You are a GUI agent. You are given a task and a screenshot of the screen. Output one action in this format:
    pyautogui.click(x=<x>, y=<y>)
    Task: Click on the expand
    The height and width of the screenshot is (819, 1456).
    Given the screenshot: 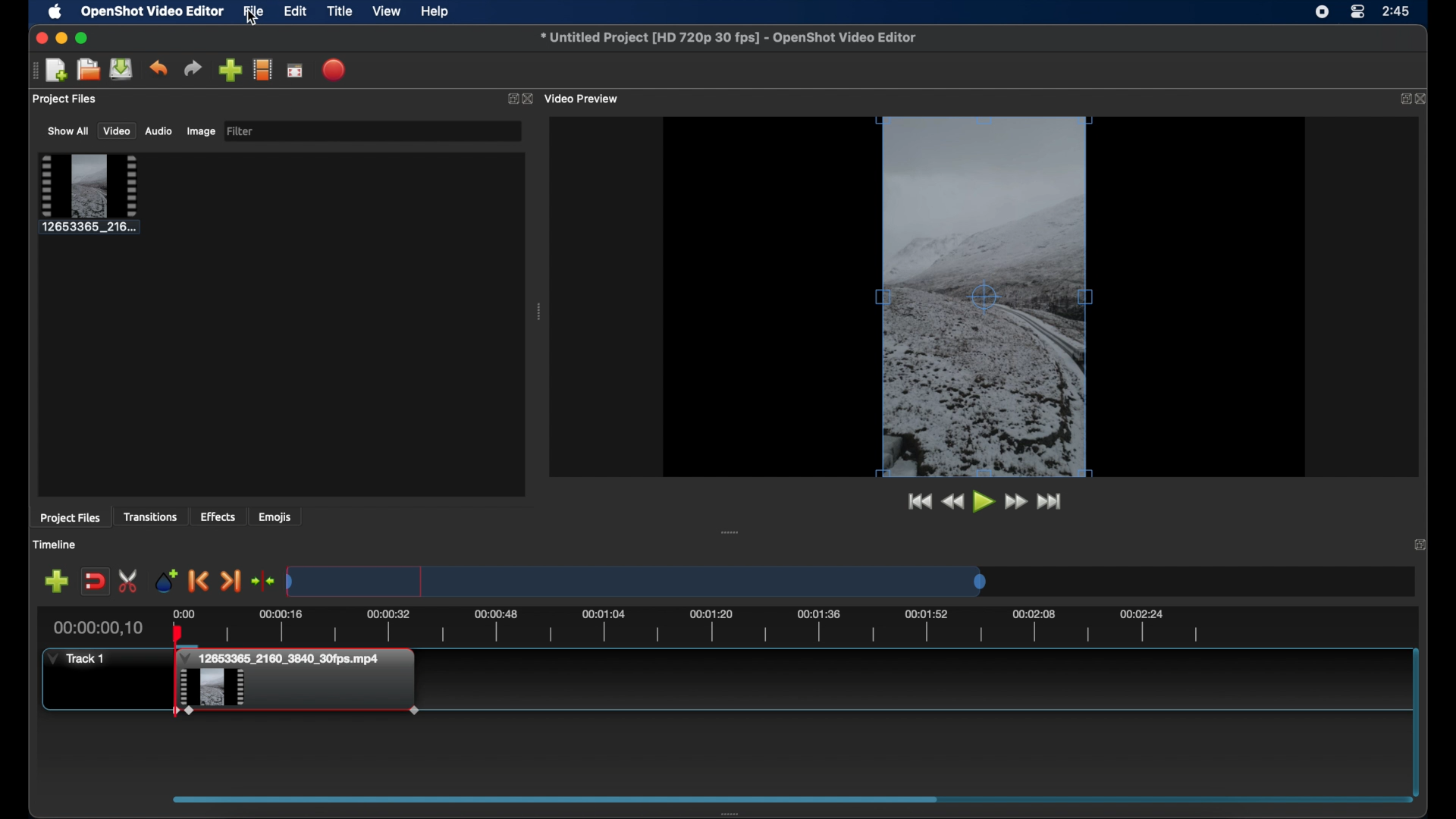 What is the action you would take?
    pyautogui.click(x=1401, y=99)
    